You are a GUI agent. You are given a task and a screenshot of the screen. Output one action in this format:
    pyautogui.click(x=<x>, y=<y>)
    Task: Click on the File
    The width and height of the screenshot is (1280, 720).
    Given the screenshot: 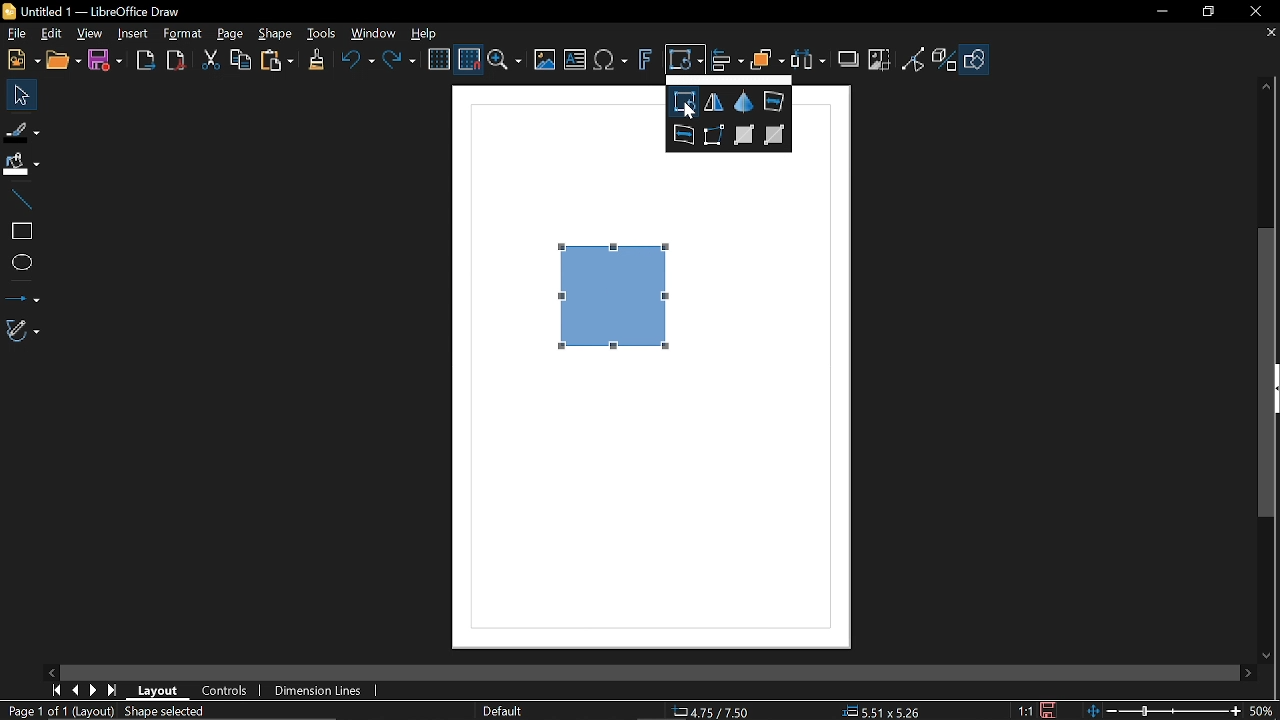 What is the action you would take?
    pyautogui.click(x=15, y=35)
    